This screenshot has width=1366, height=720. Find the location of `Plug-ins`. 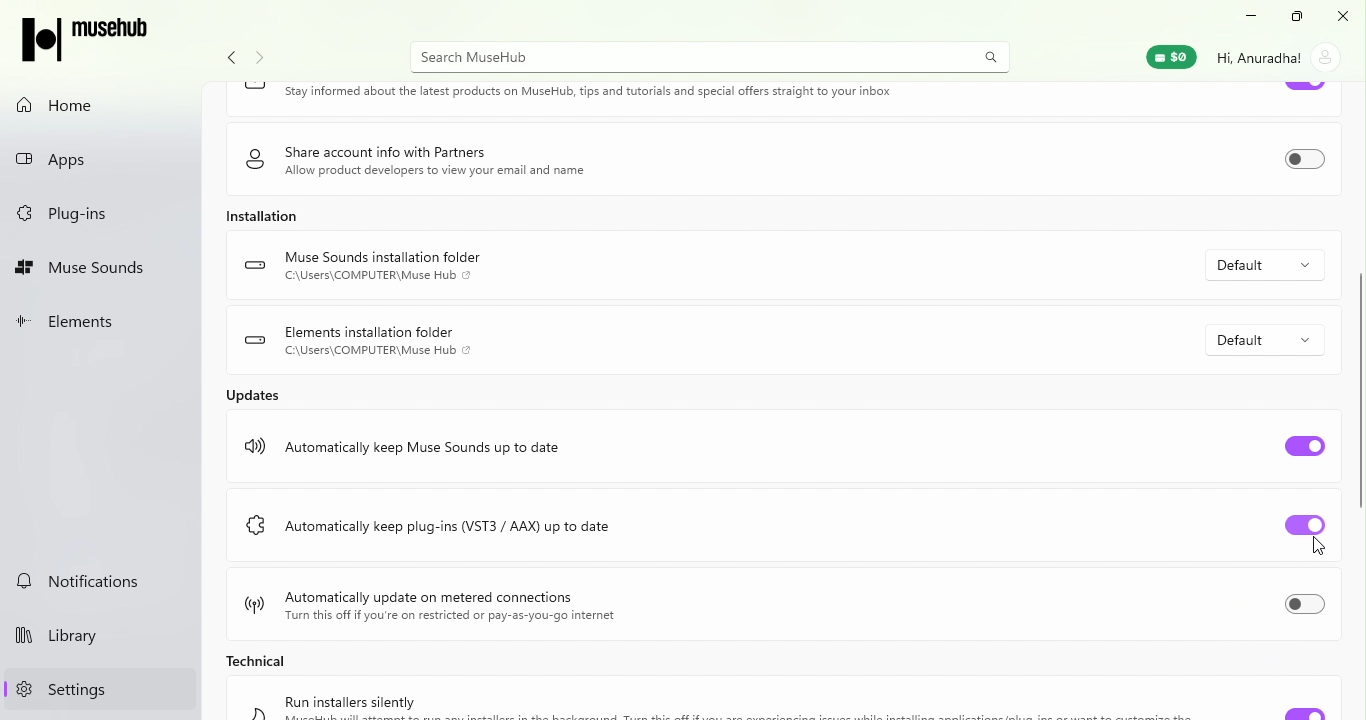

Plug-ins is located at coordinates (95, 214).